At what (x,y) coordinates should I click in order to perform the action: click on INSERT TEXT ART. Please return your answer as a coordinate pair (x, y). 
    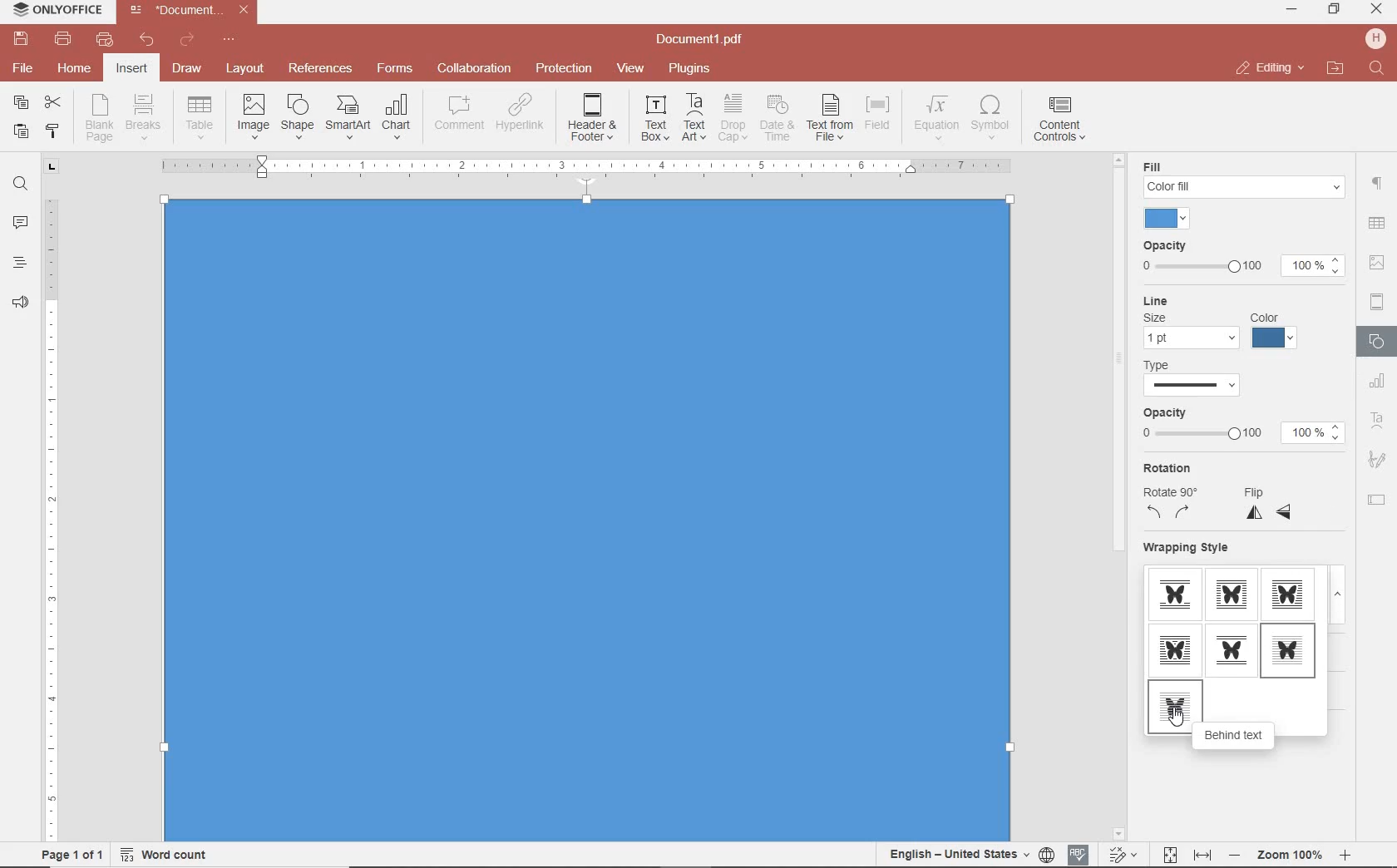
    Looking at the image, I should click on (694, 118).